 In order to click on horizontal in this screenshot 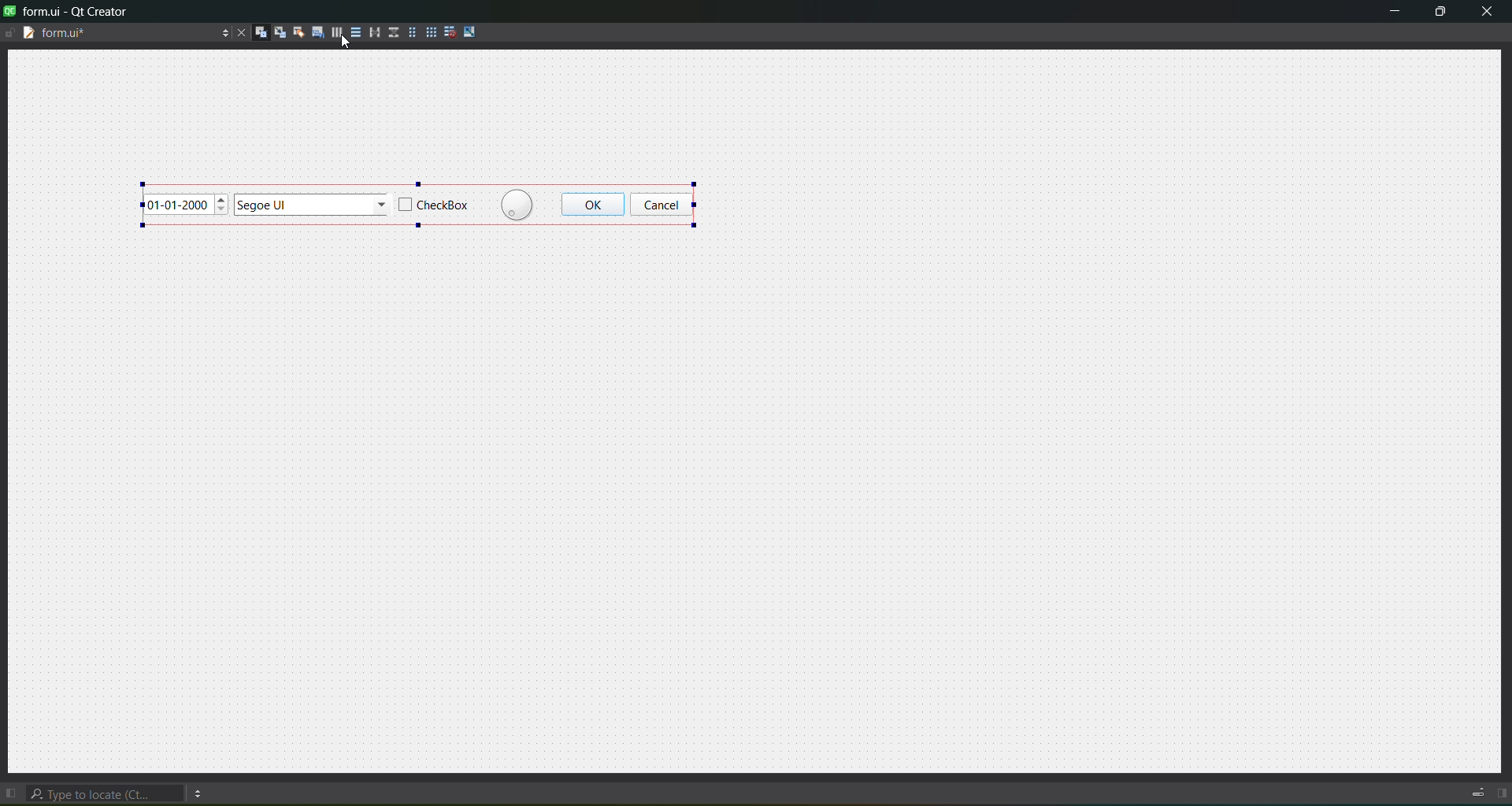, I will do `click(332, 35)`.